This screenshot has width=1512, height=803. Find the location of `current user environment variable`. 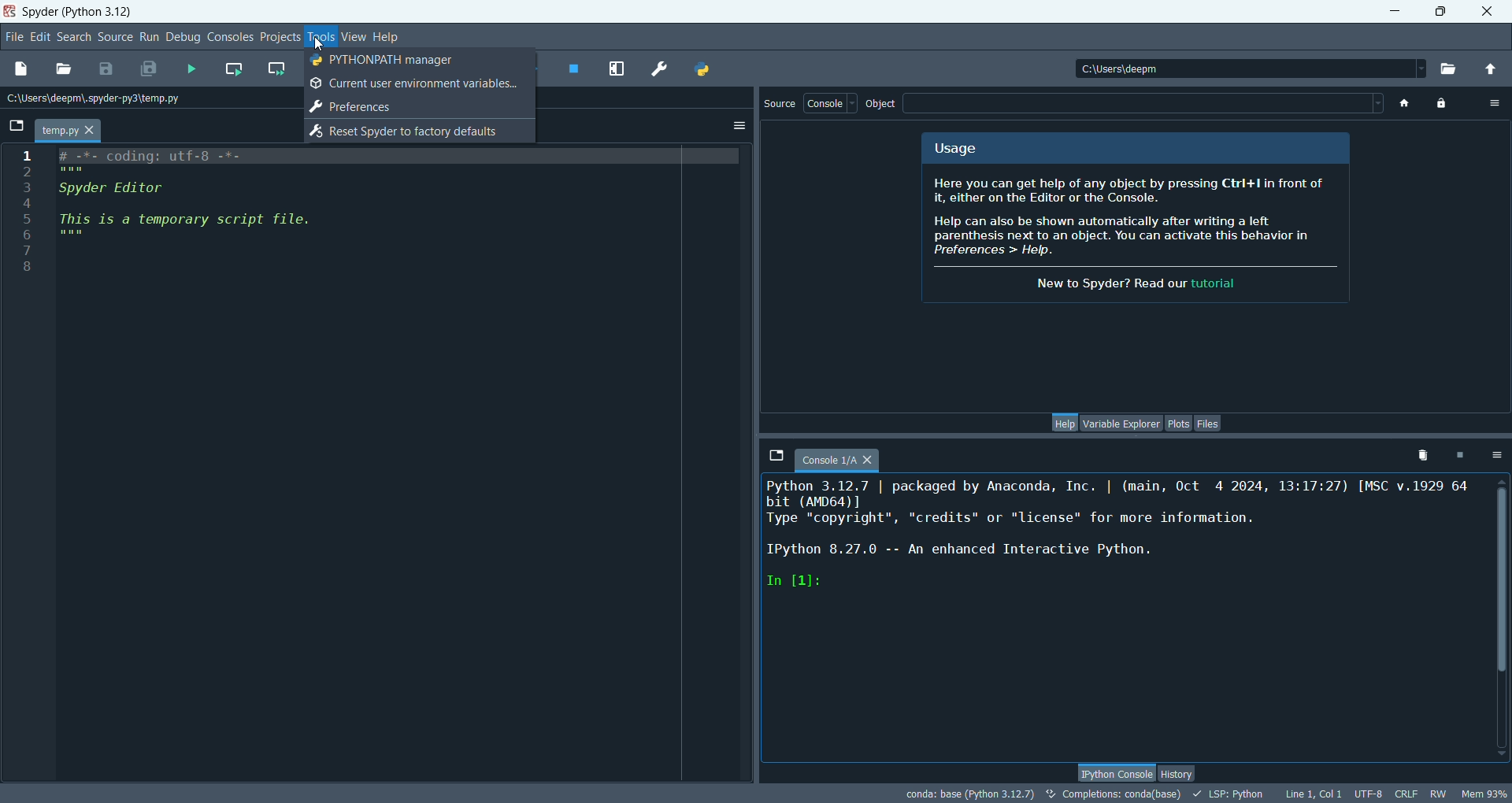

current user environment variable is located at coordinates (414, 82).